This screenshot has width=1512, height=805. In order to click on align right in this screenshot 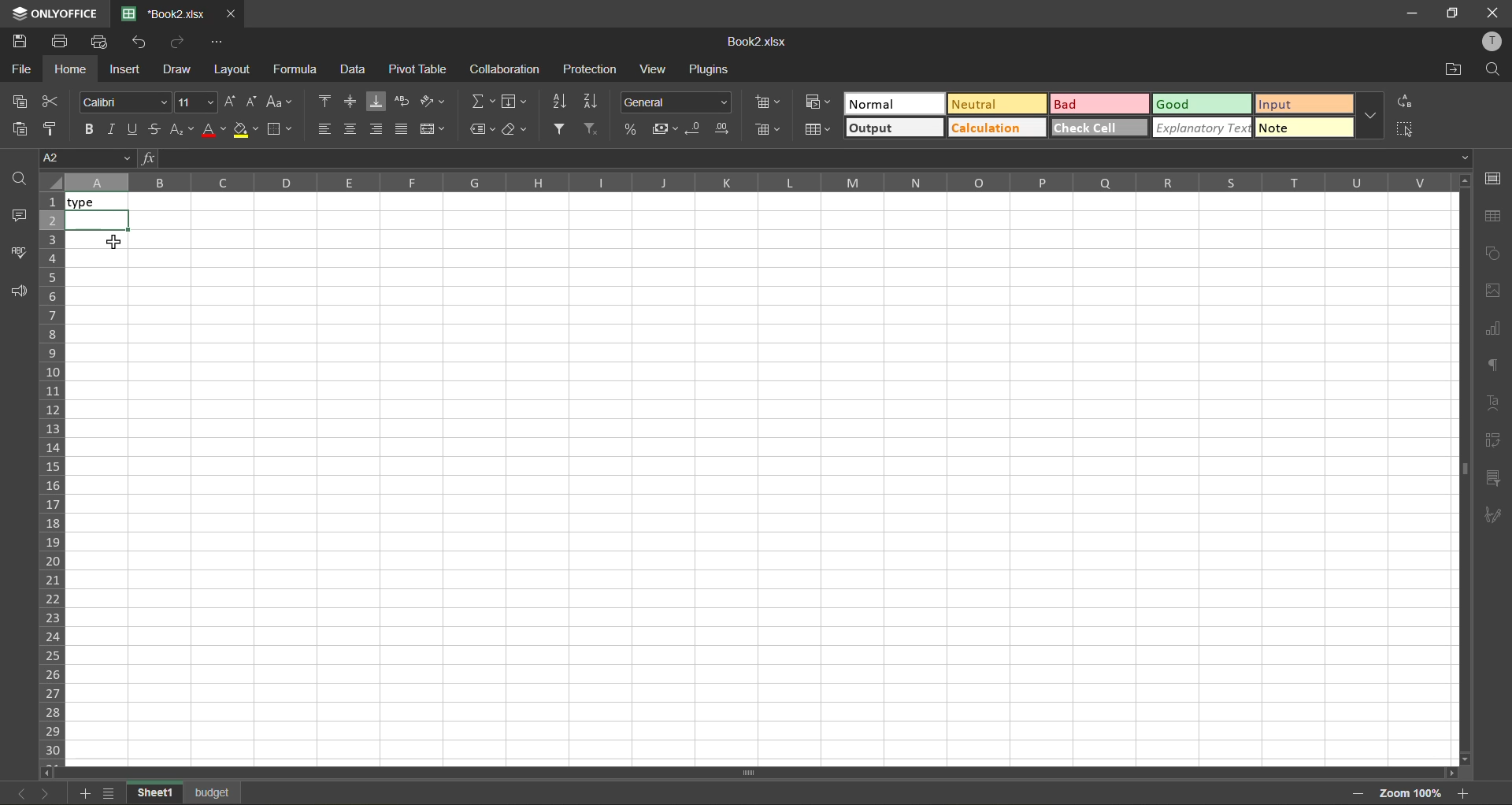, I will do `click(378, 127)`.